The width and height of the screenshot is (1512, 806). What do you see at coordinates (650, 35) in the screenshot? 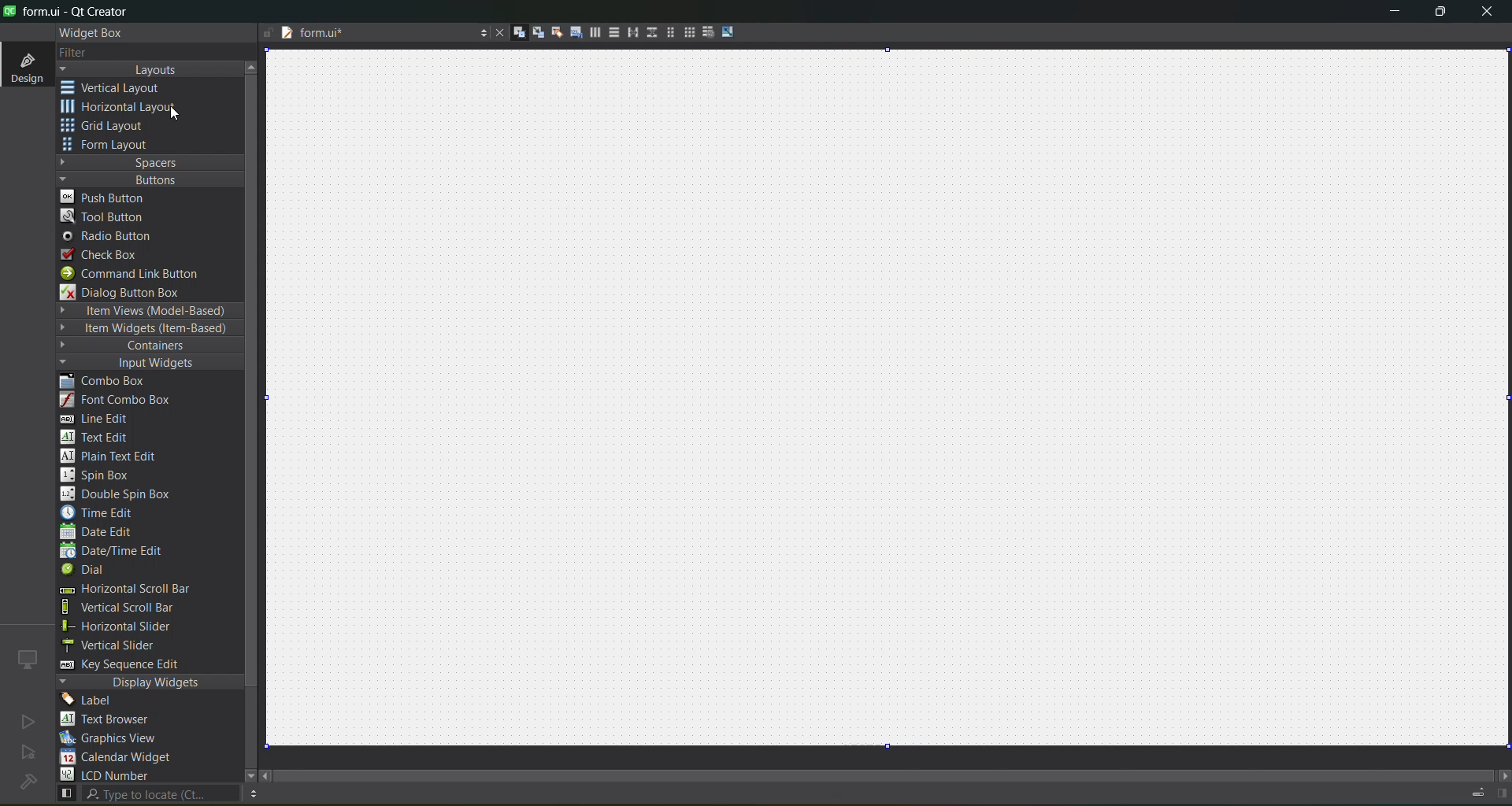
I see `vertical splitter` at bounding box center [650, 35].